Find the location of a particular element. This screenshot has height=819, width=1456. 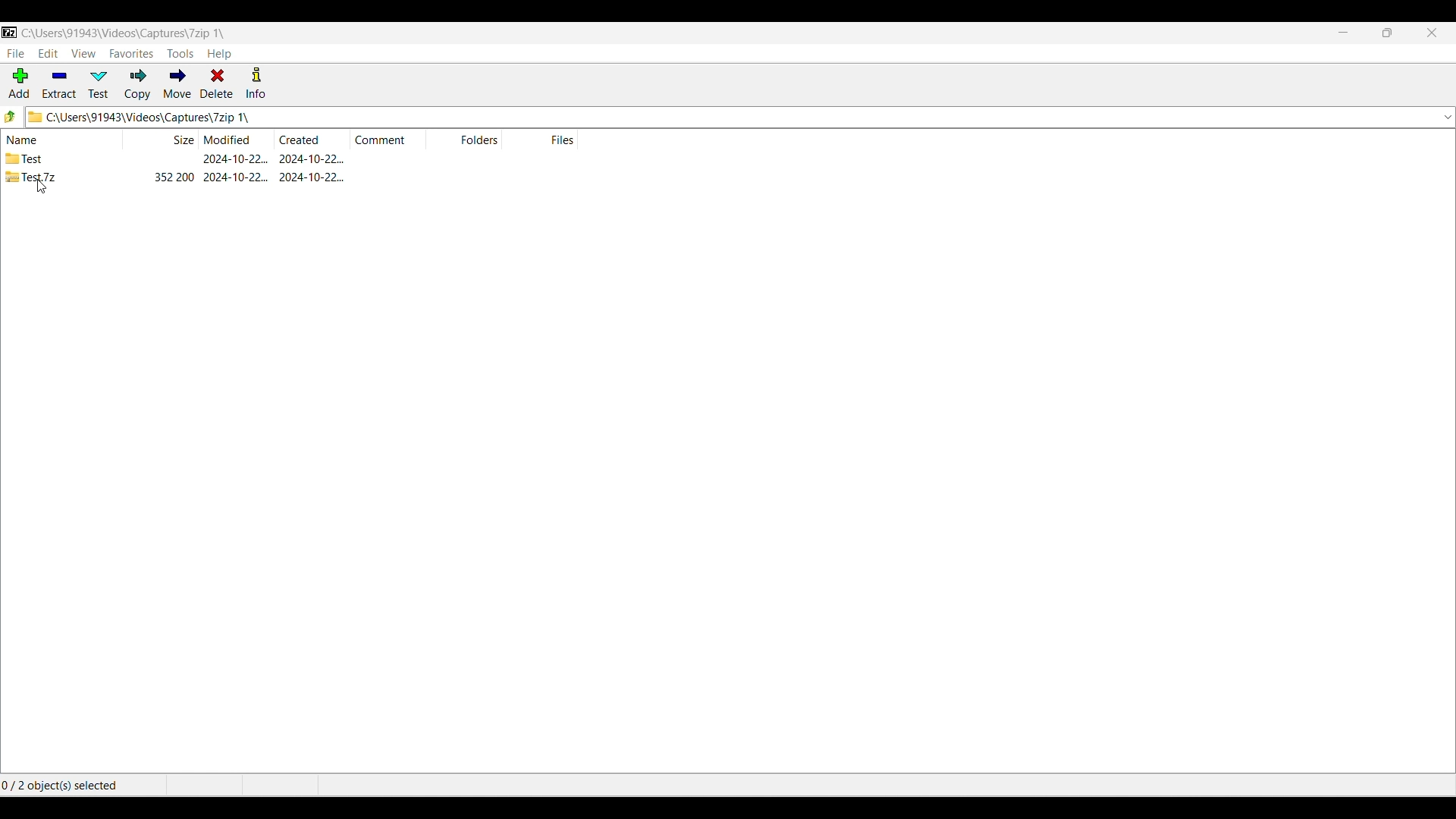

Add is located at coordinates (20, 83).